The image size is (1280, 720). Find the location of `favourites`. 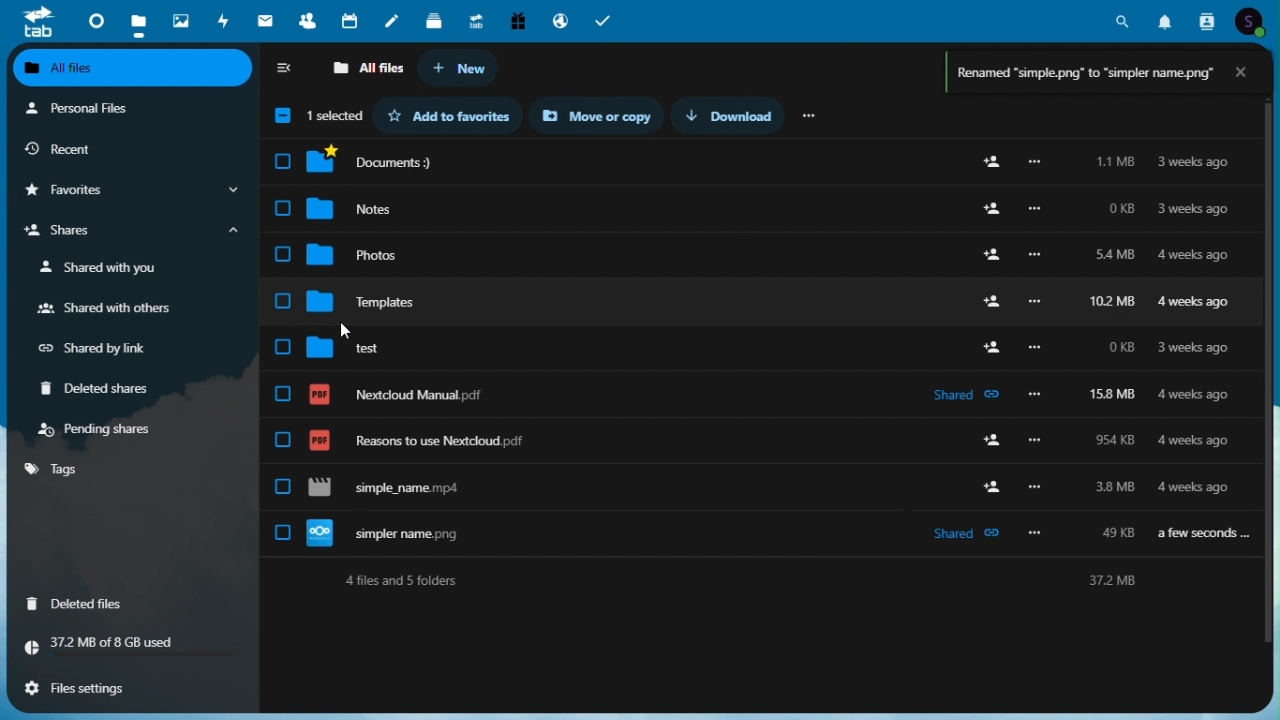

favourites is located at coordinates (129, 191).